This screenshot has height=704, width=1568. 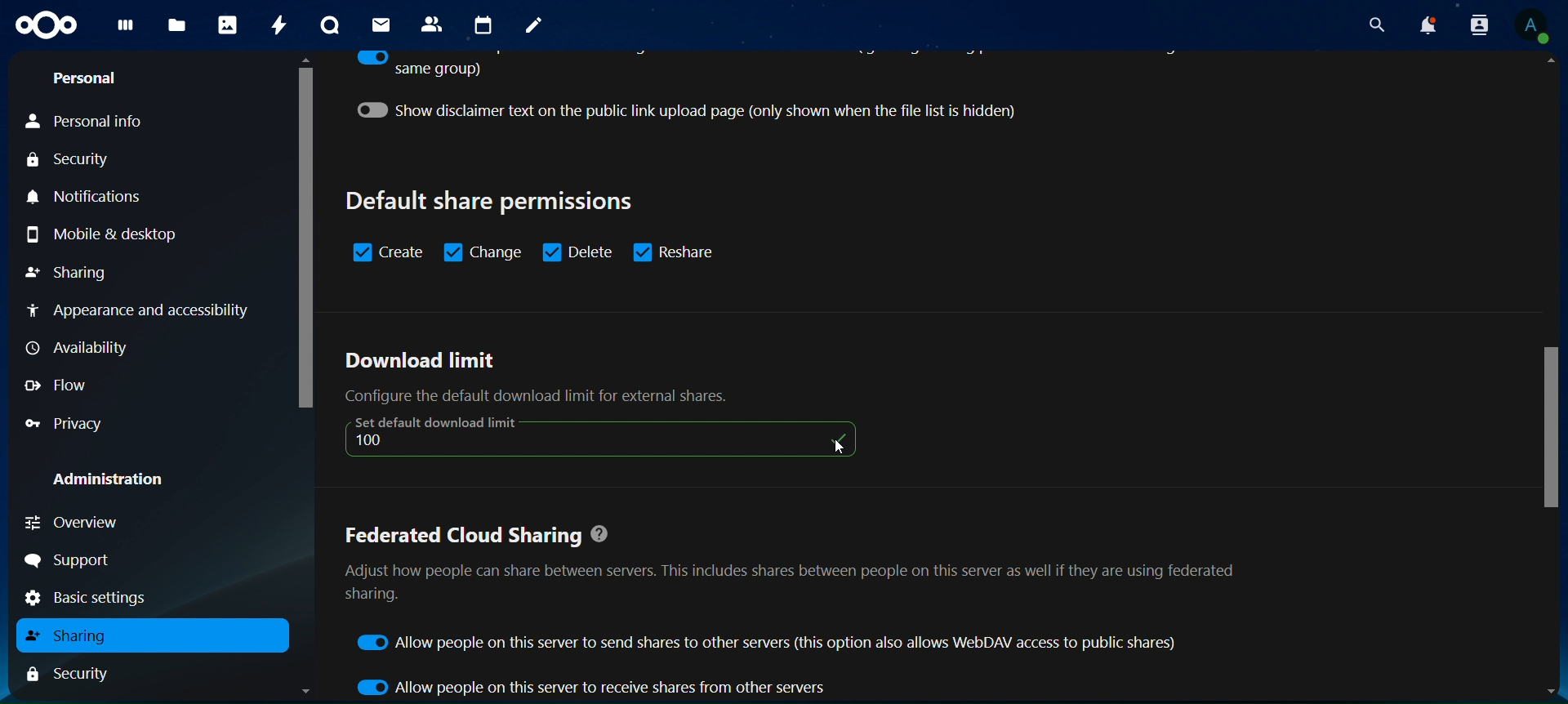 What do you see at coordinates (389, 252) in the screenshot?
I see `sreate ` at bounding box center [389, 252].